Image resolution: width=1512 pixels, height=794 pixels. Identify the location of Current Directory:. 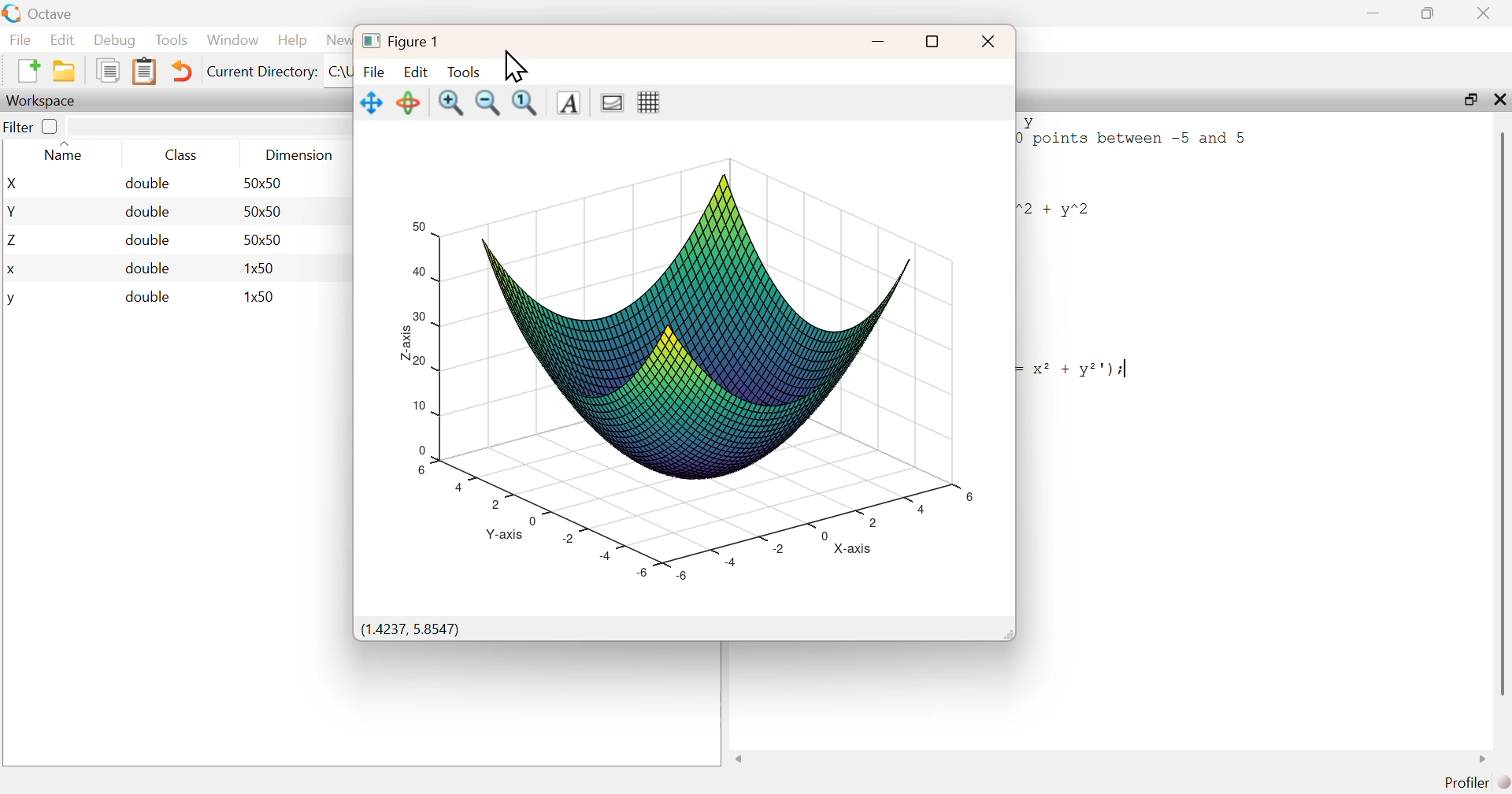
(263, 72).